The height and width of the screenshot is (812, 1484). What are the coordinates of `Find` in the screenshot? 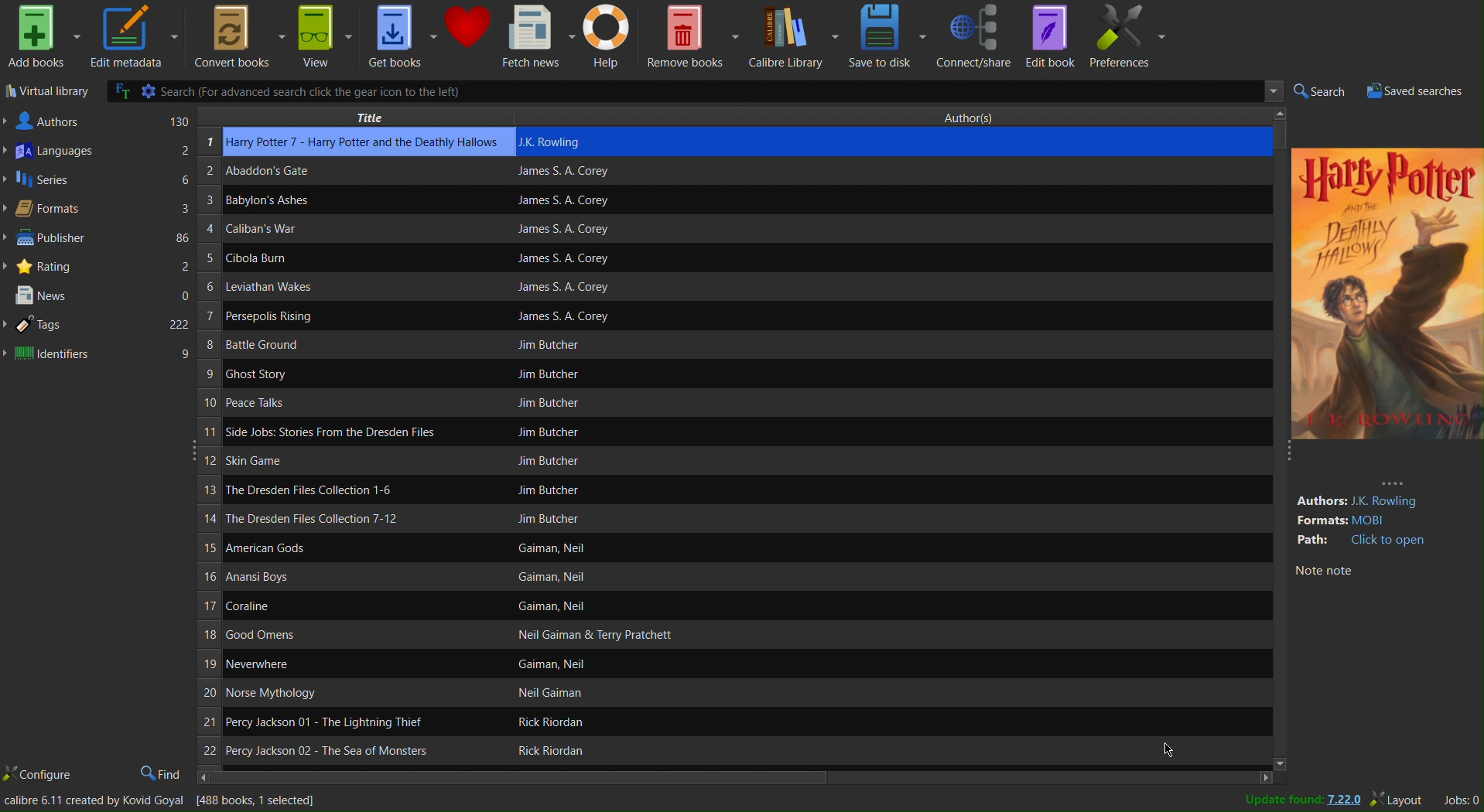 It's located at (160, 773).